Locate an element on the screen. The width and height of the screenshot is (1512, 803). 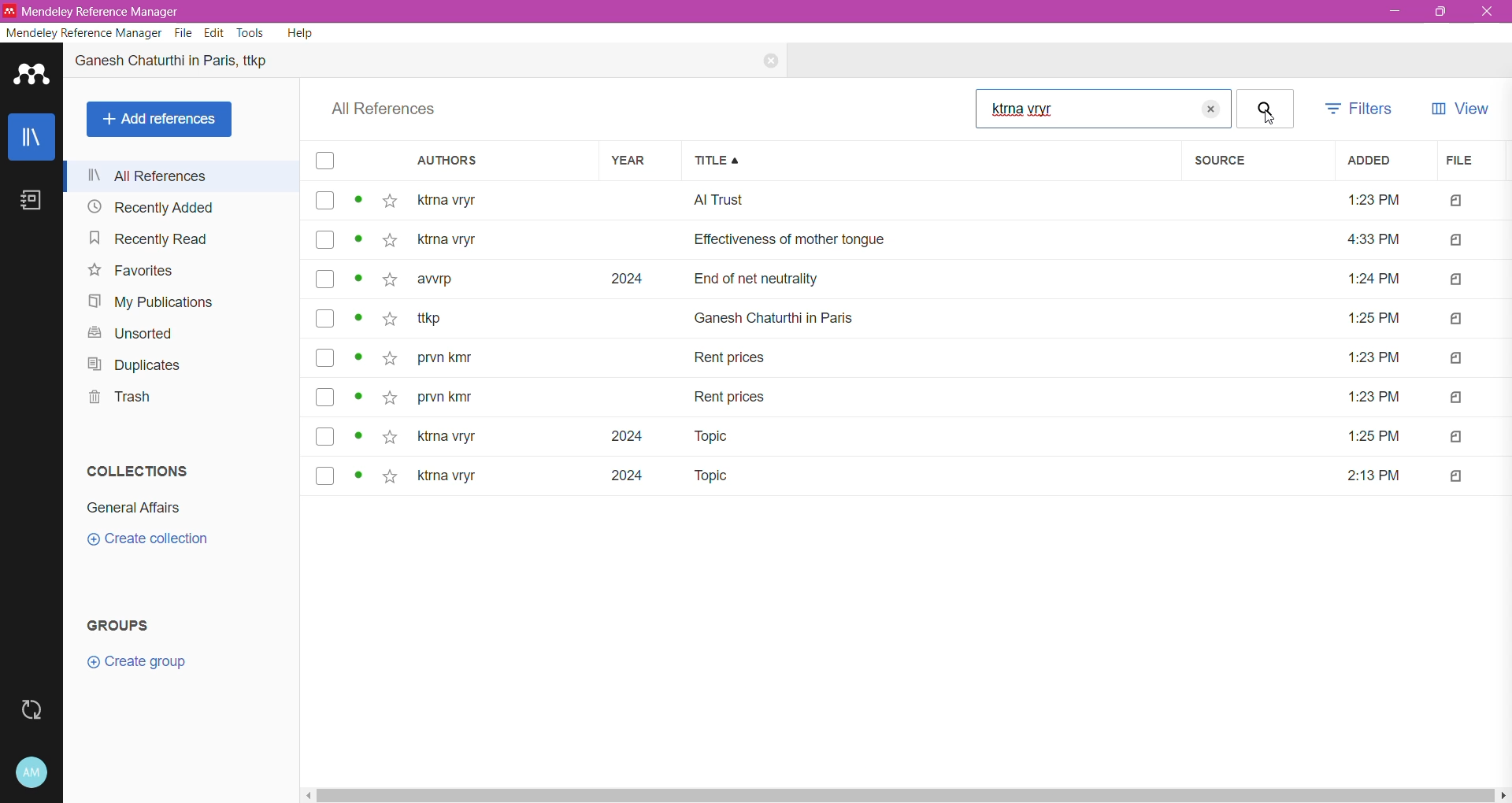
~ ktrna vryr 2024 Topic 1:25 PM is located at coordinates (911, 436).